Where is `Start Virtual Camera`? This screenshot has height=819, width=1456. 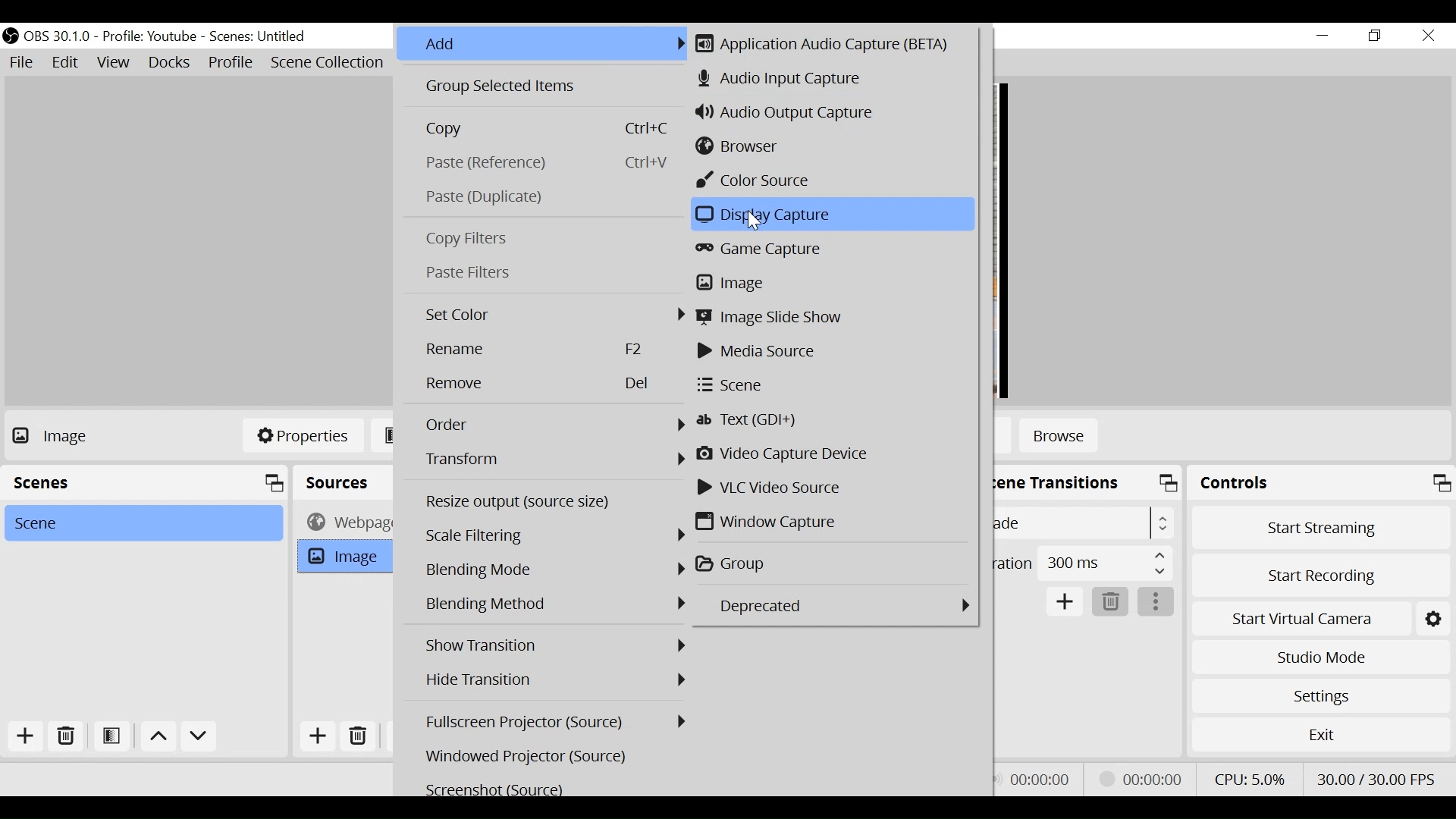 Start Virtual Camera is located at coordinates (1300, 620).